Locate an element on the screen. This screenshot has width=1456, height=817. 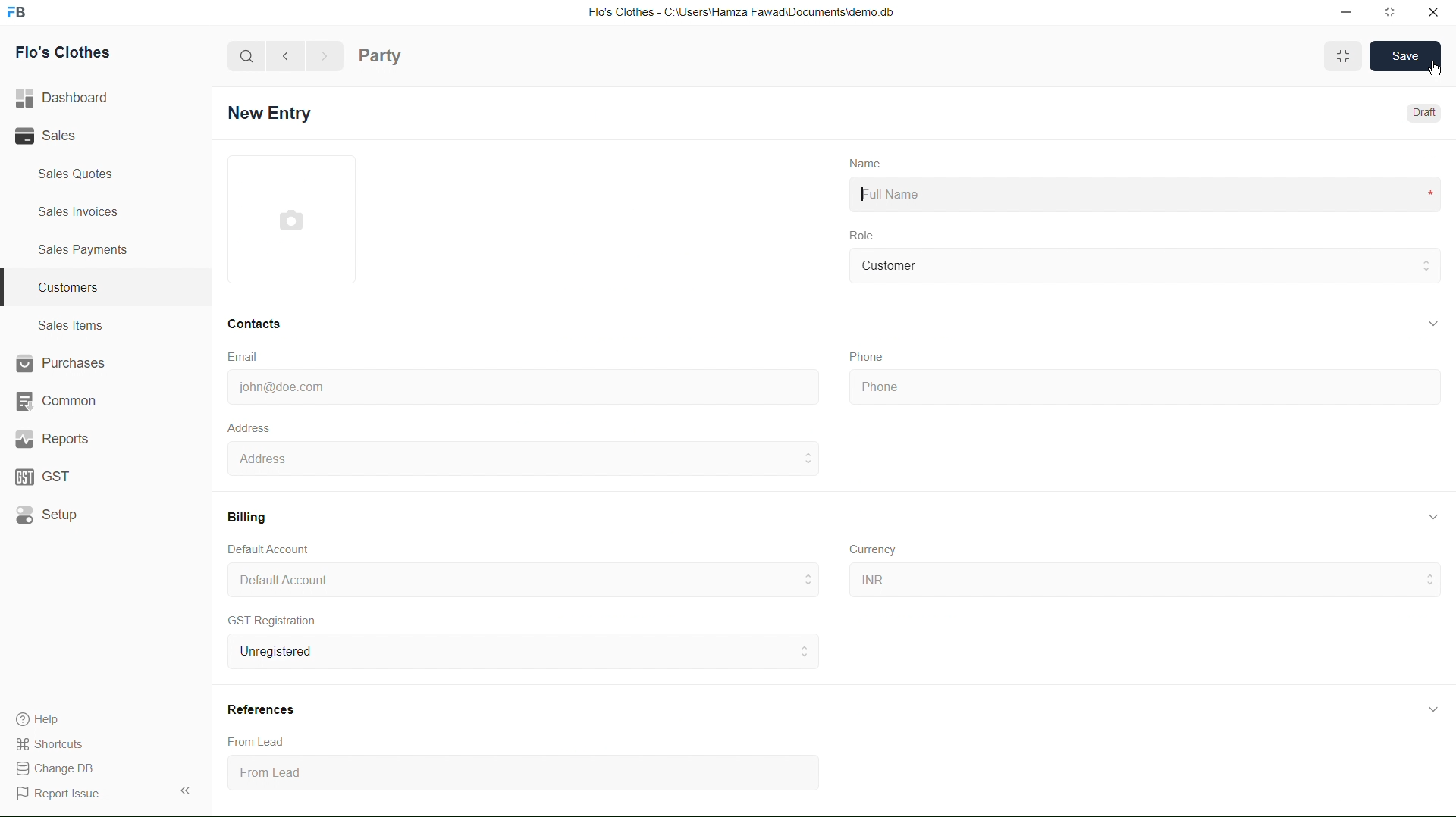
Sales Items is located at coordinates (71, 326).